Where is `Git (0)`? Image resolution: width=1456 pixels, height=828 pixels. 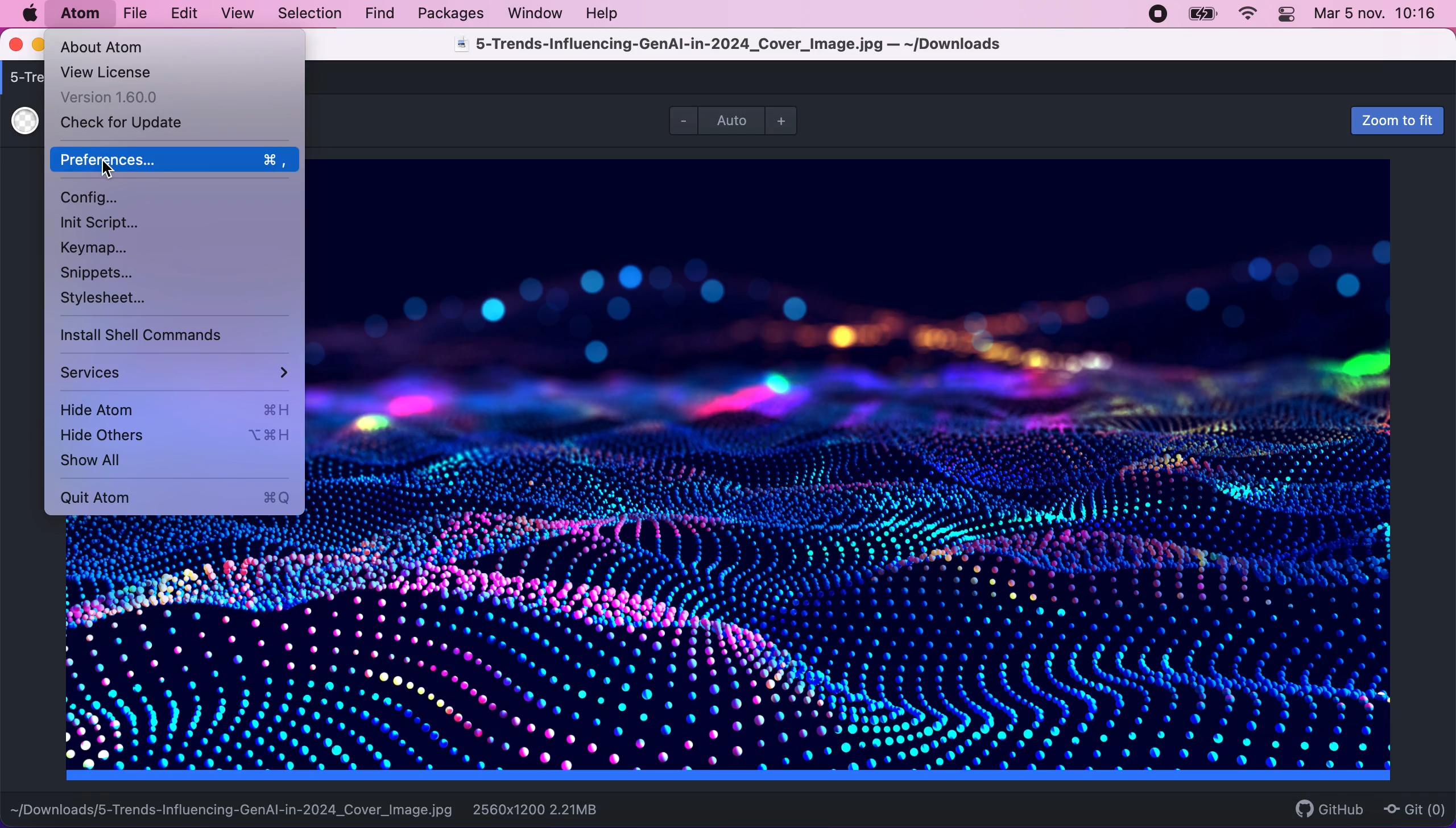
Git (0) is located at coordinates (1411, 809).